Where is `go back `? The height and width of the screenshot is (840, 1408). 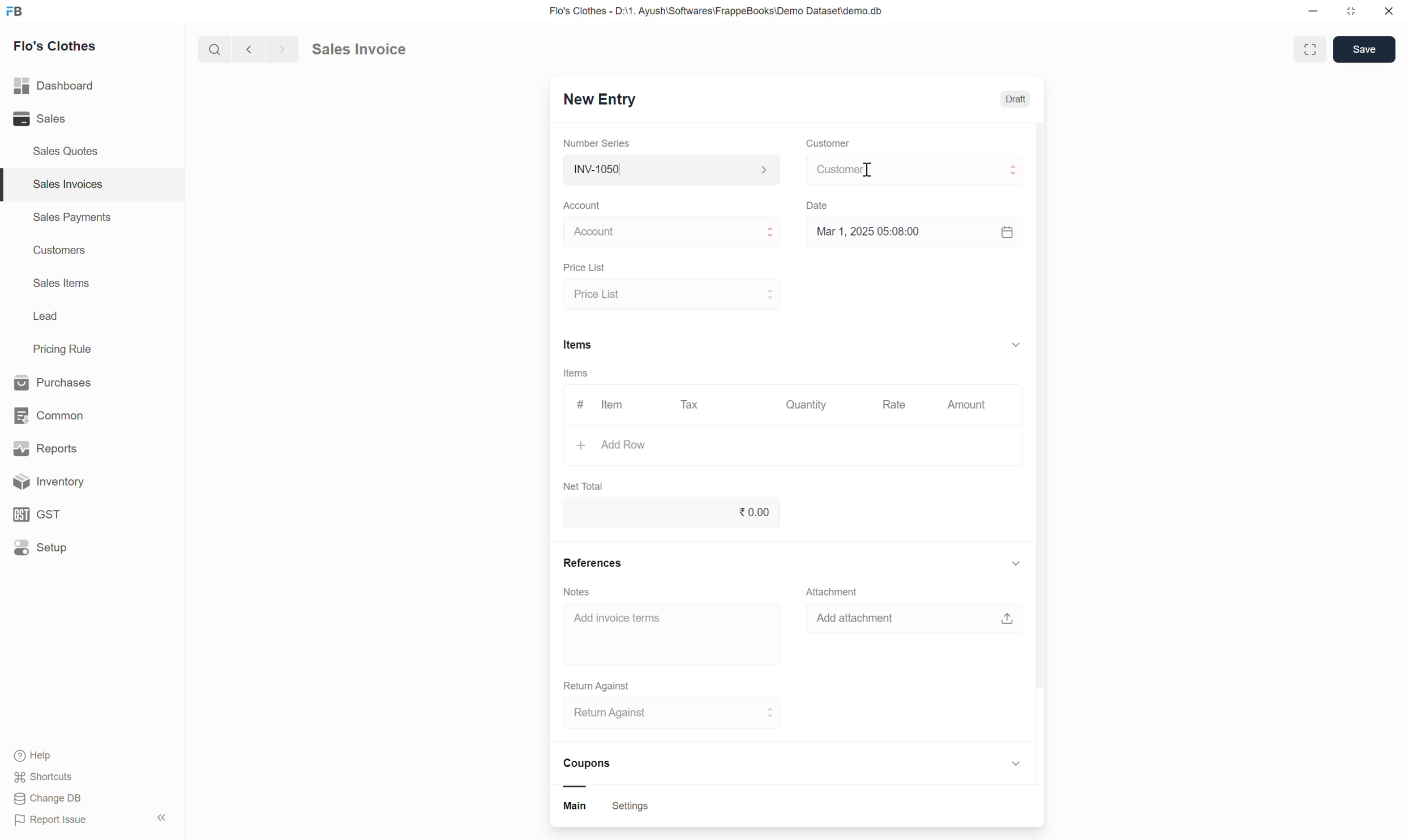 go back  is located at coordinates (248, 52).